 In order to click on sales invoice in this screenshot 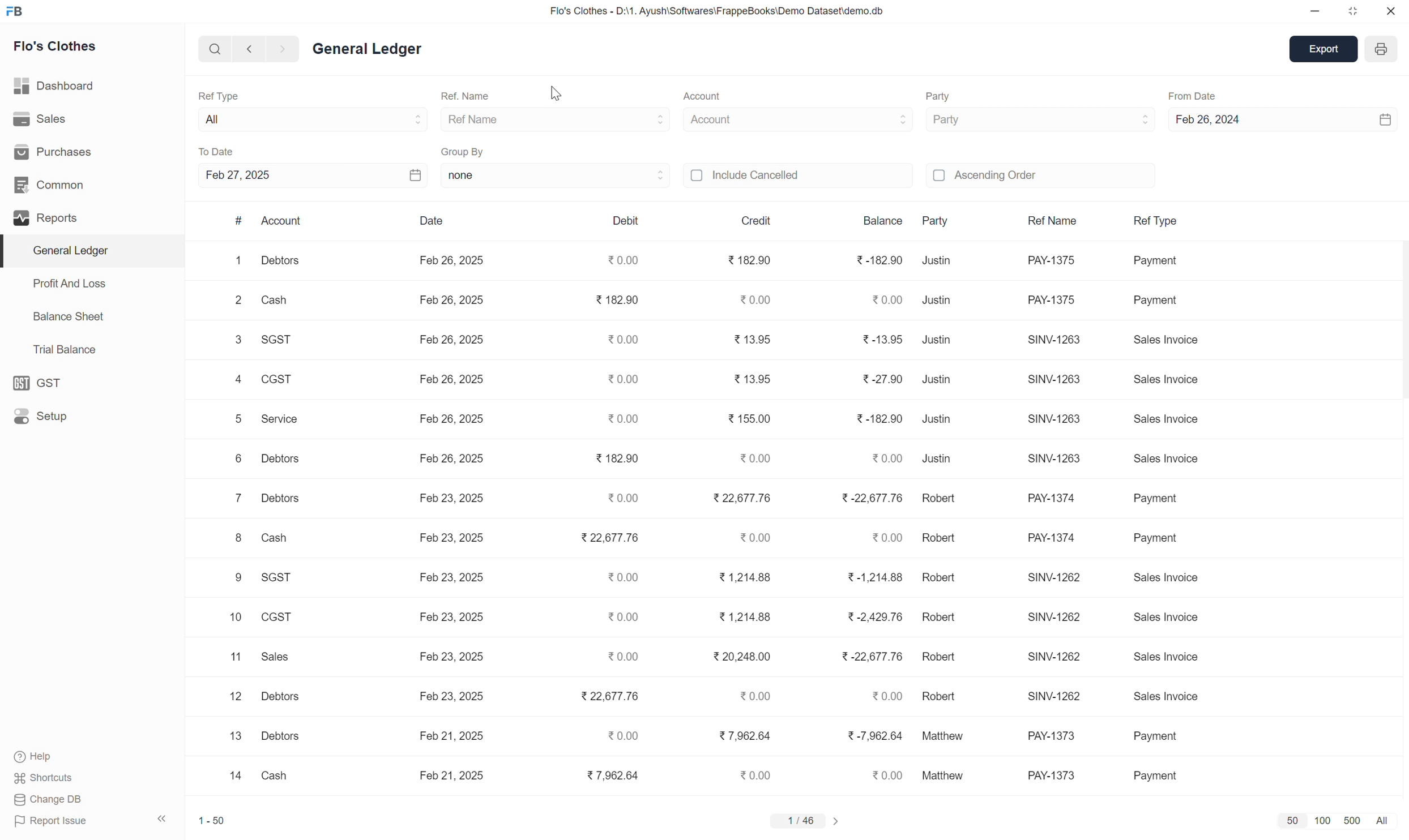, I will do `click(1166, 659)`.